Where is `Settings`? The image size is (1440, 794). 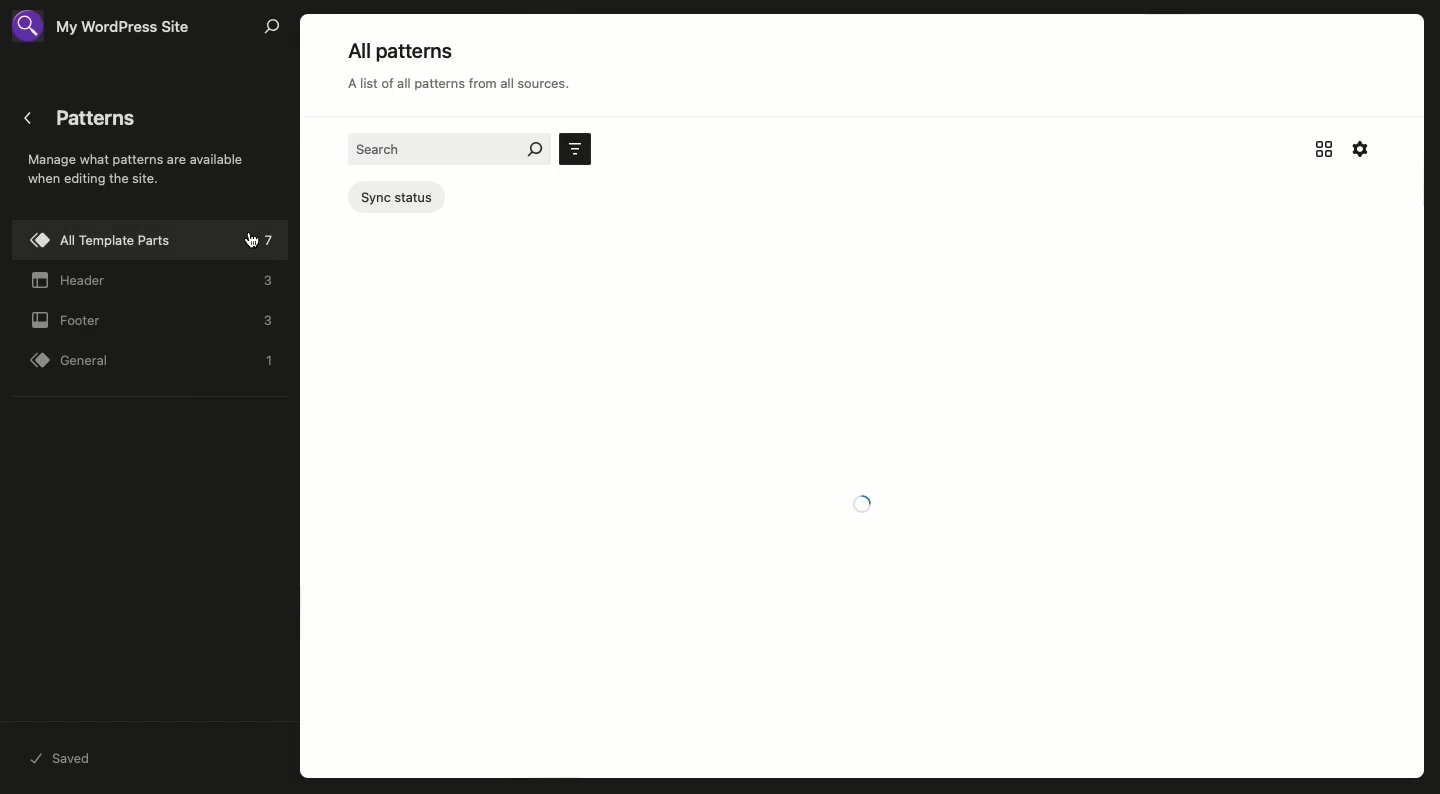
Settings is located at coordinates (1359, 148).